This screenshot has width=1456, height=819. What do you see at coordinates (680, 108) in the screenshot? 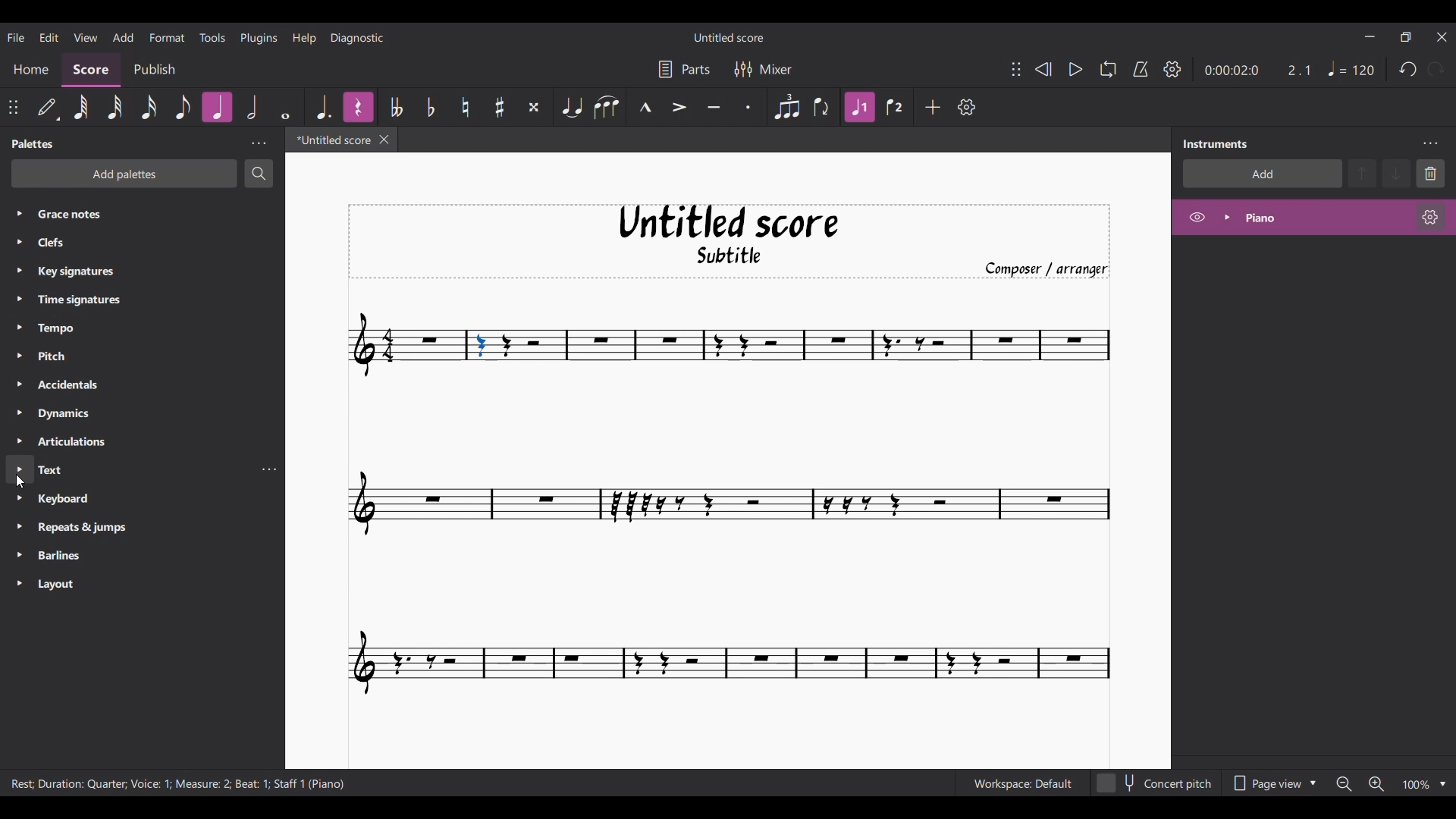
I see `Accent` at bounding box center [680, 108].